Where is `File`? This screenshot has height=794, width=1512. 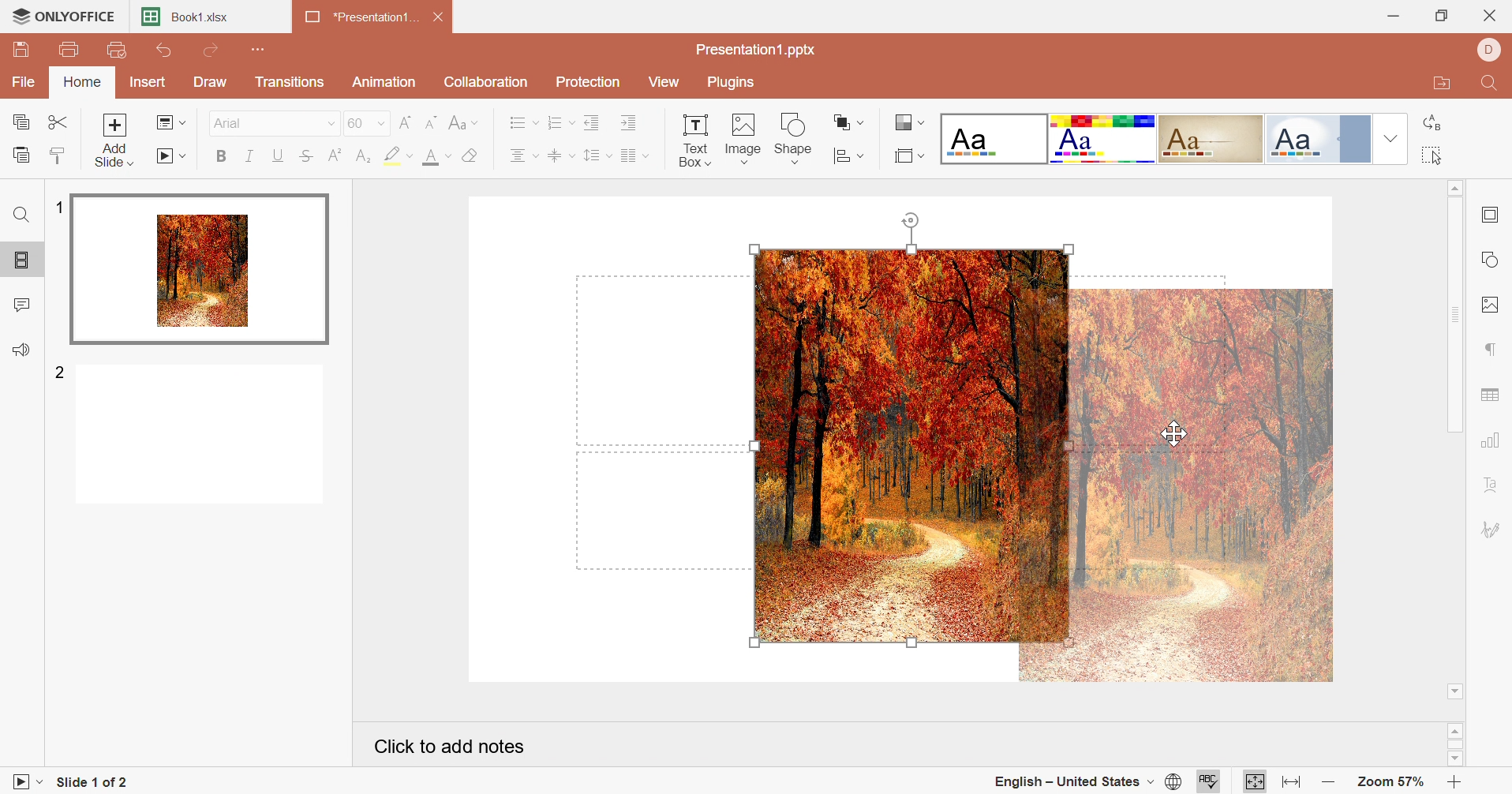
File is located at coordinates (24, 82).